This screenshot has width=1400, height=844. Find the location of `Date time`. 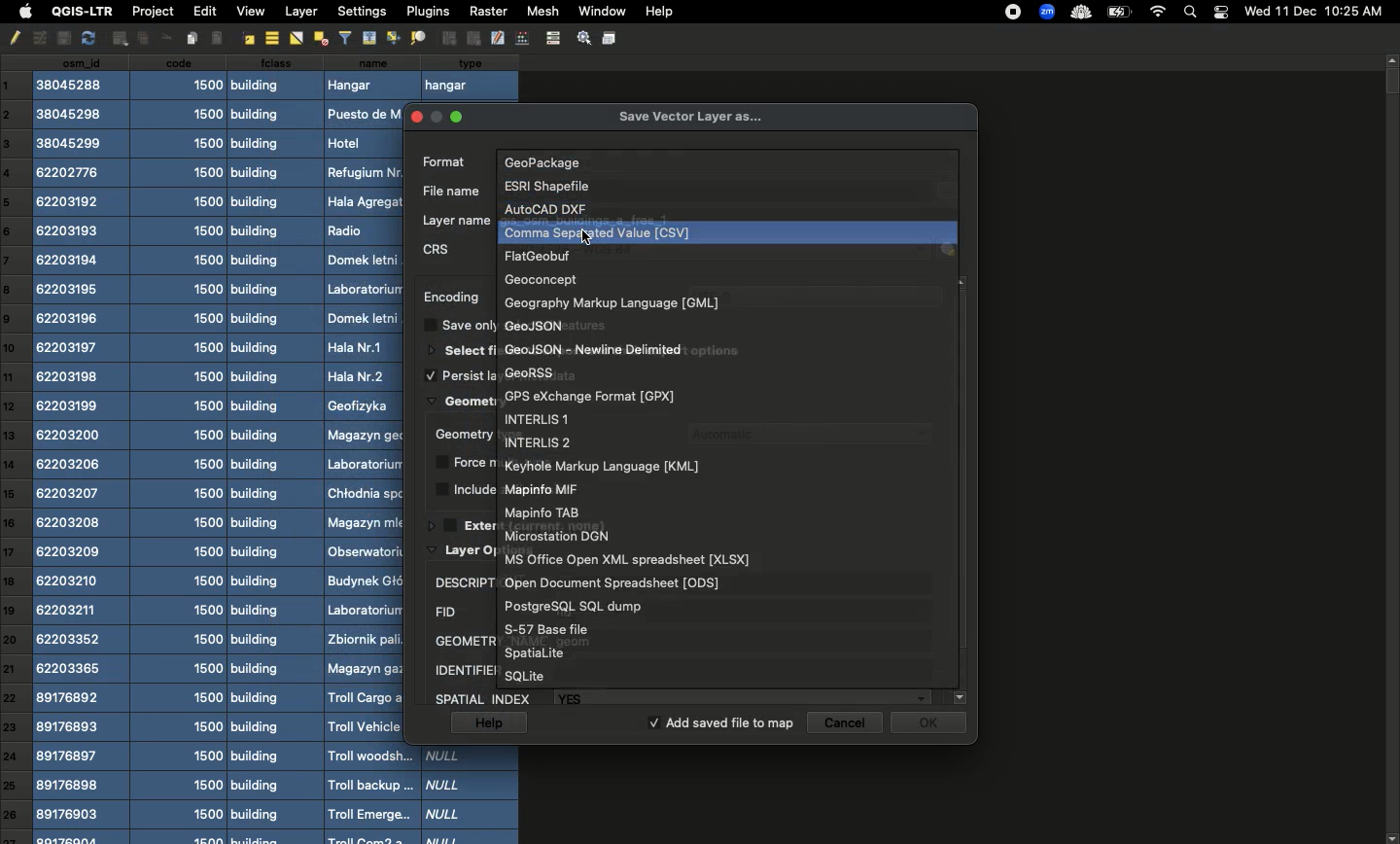

Date time is located at coordinates (1313, 11).